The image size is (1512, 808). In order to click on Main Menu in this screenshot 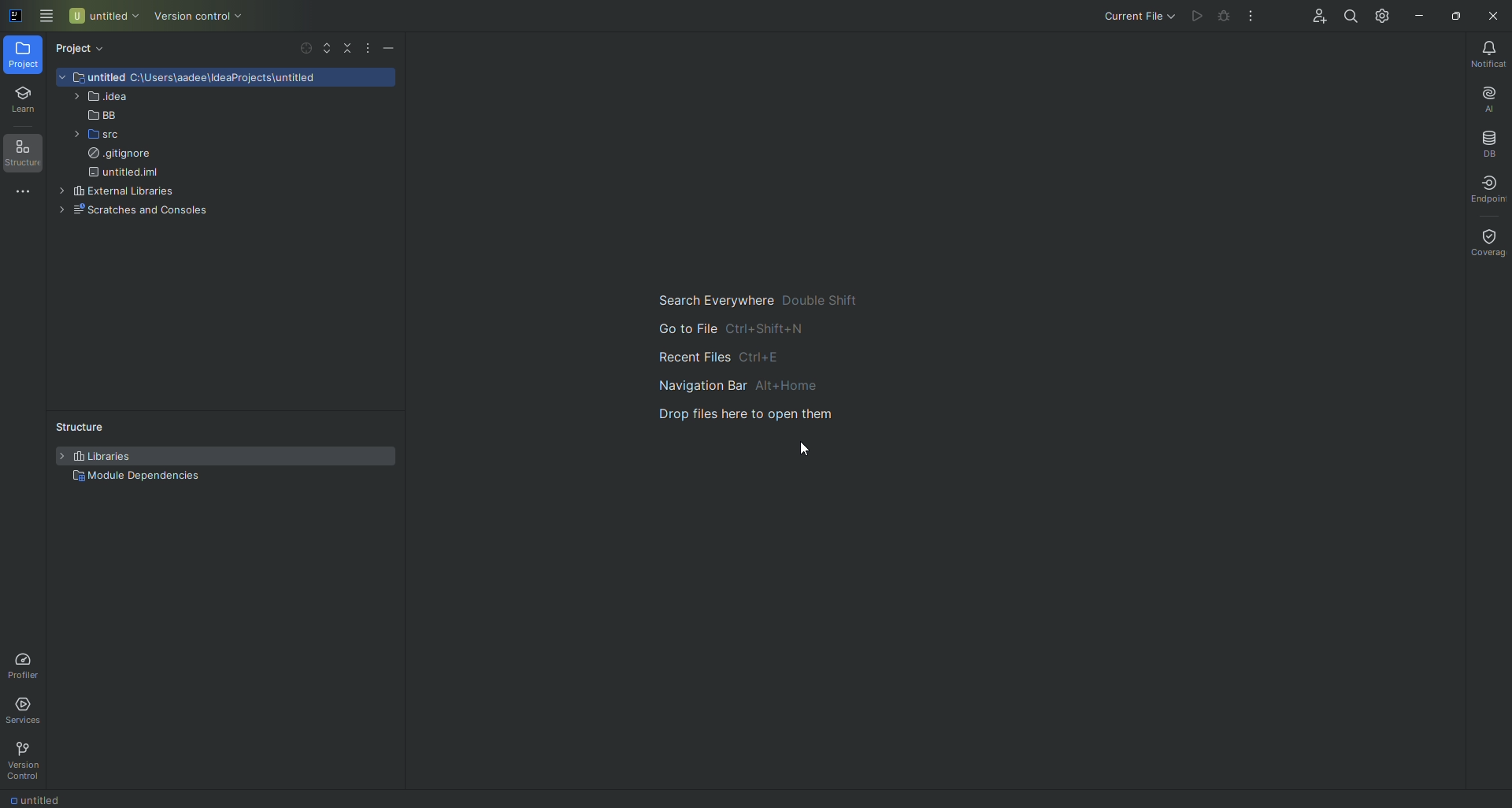, I will do `click(46, 17)`.